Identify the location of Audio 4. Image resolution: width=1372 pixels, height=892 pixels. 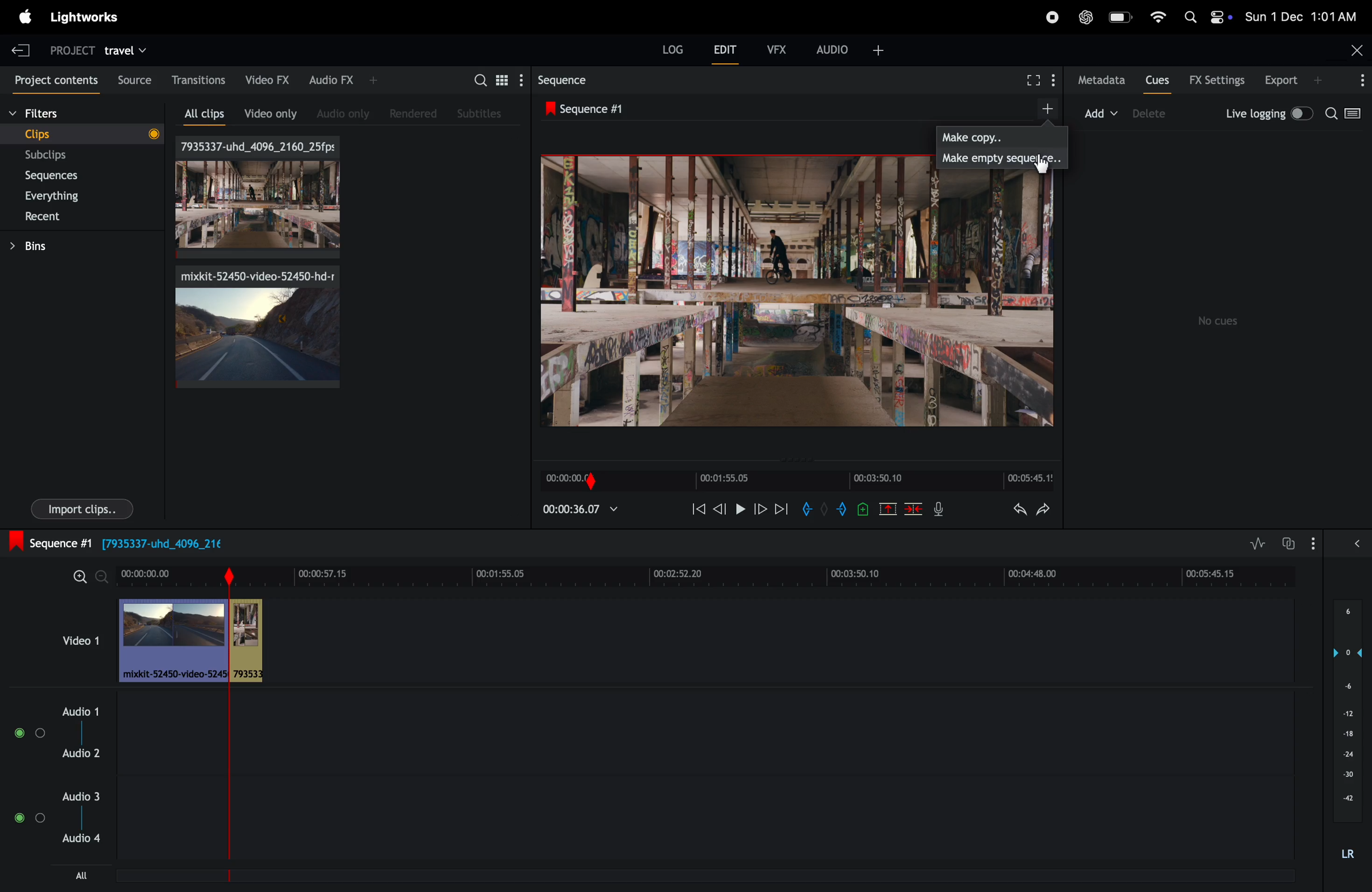
(84, 841).